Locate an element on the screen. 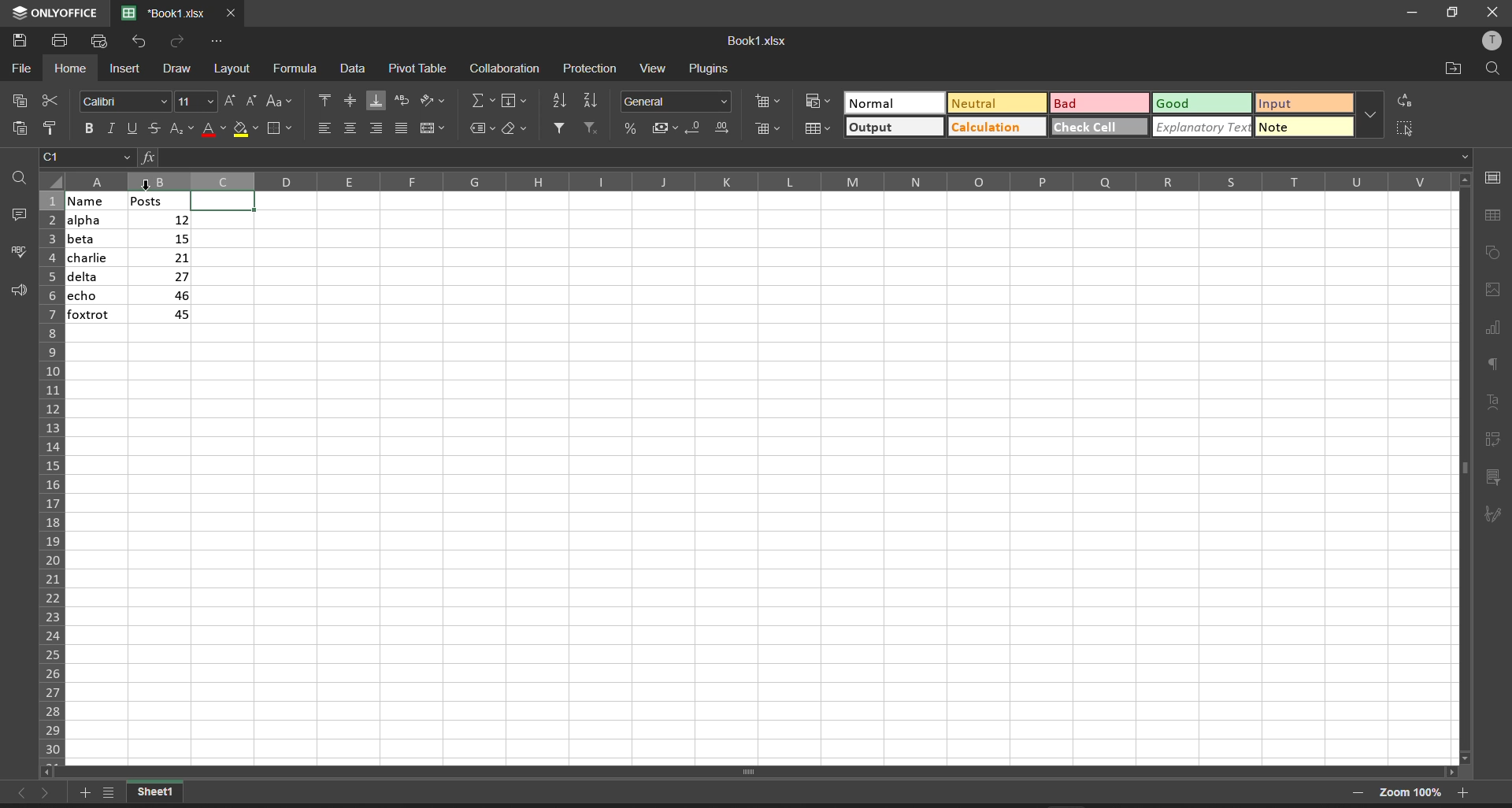  align center is located at coordinates (350, 129).